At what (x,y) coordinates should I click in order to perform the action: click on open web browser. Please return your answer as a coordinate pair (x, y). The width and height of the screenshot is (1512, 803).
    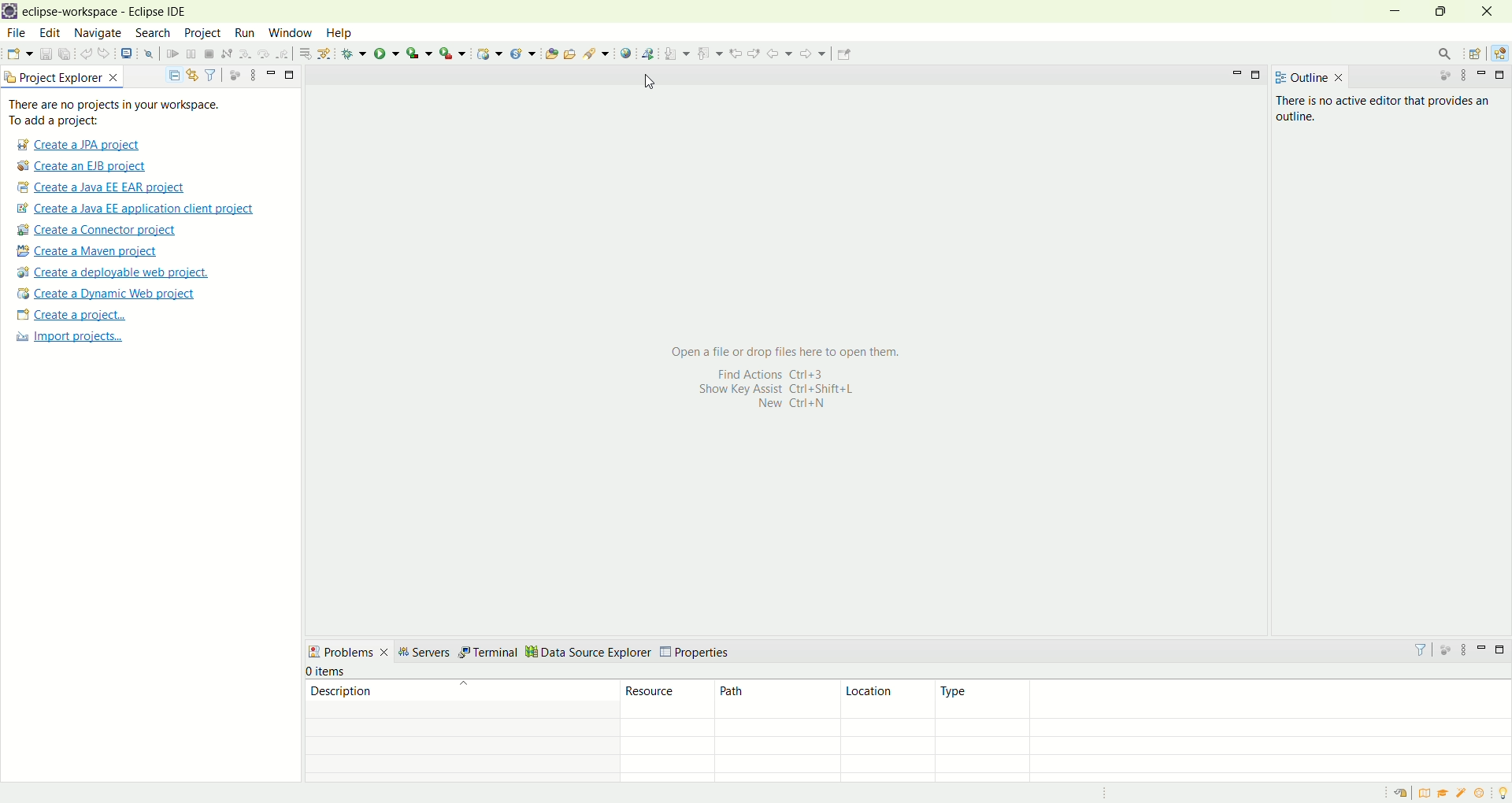
    Looking at the image, I should click on (626, 54).